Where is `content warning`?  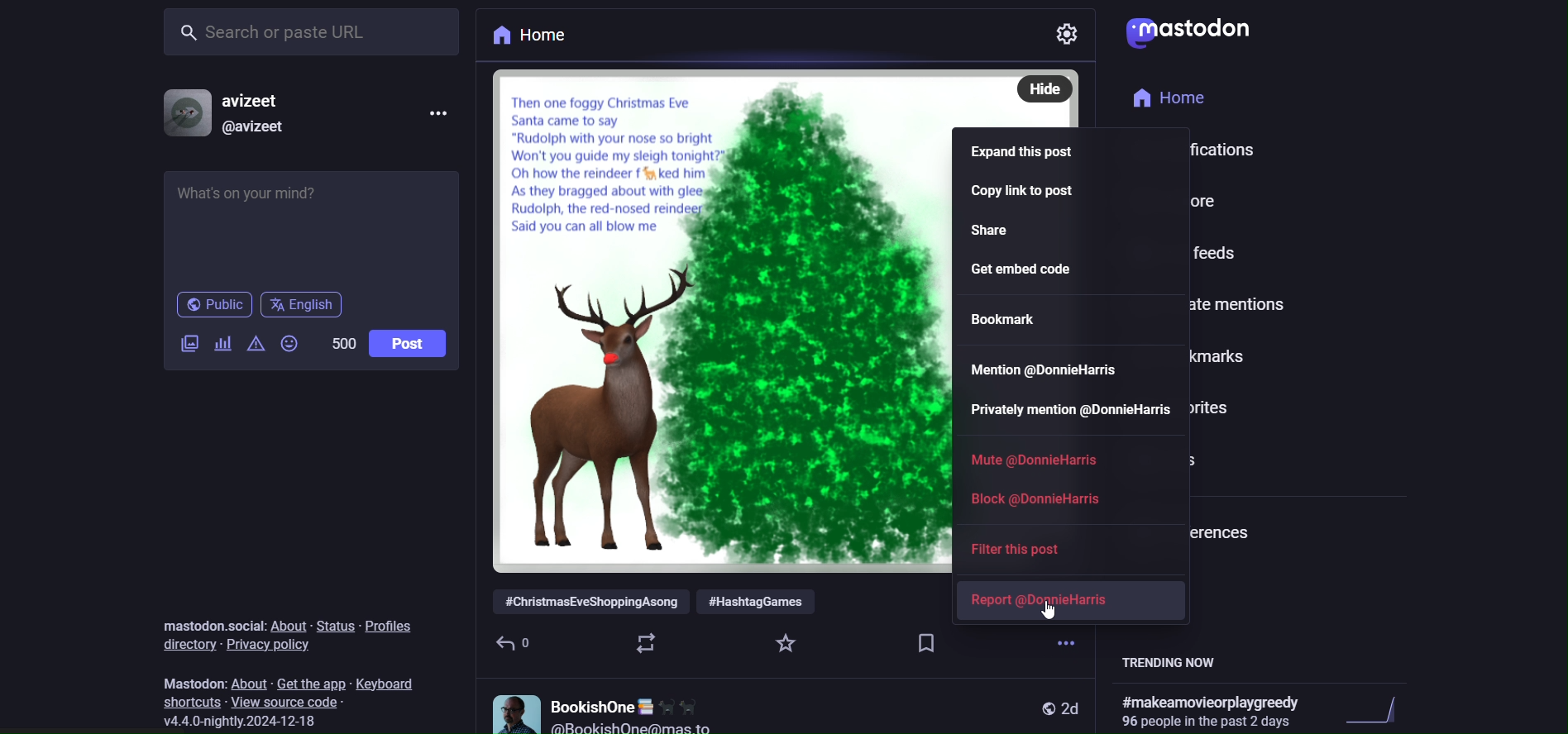
content warning is located at coordinates (259, 343).